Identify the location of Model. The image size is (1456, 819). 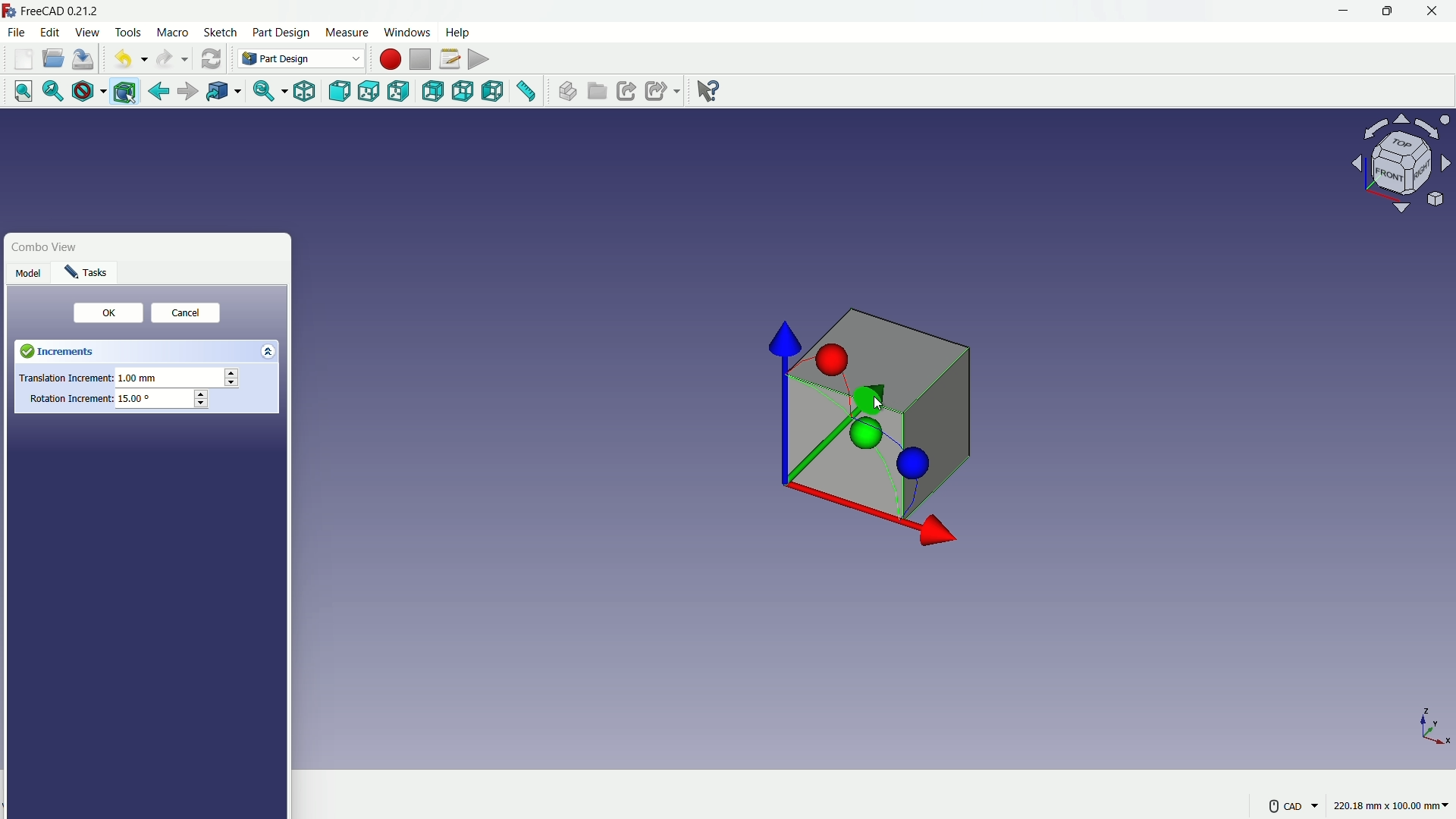
(29, 274).